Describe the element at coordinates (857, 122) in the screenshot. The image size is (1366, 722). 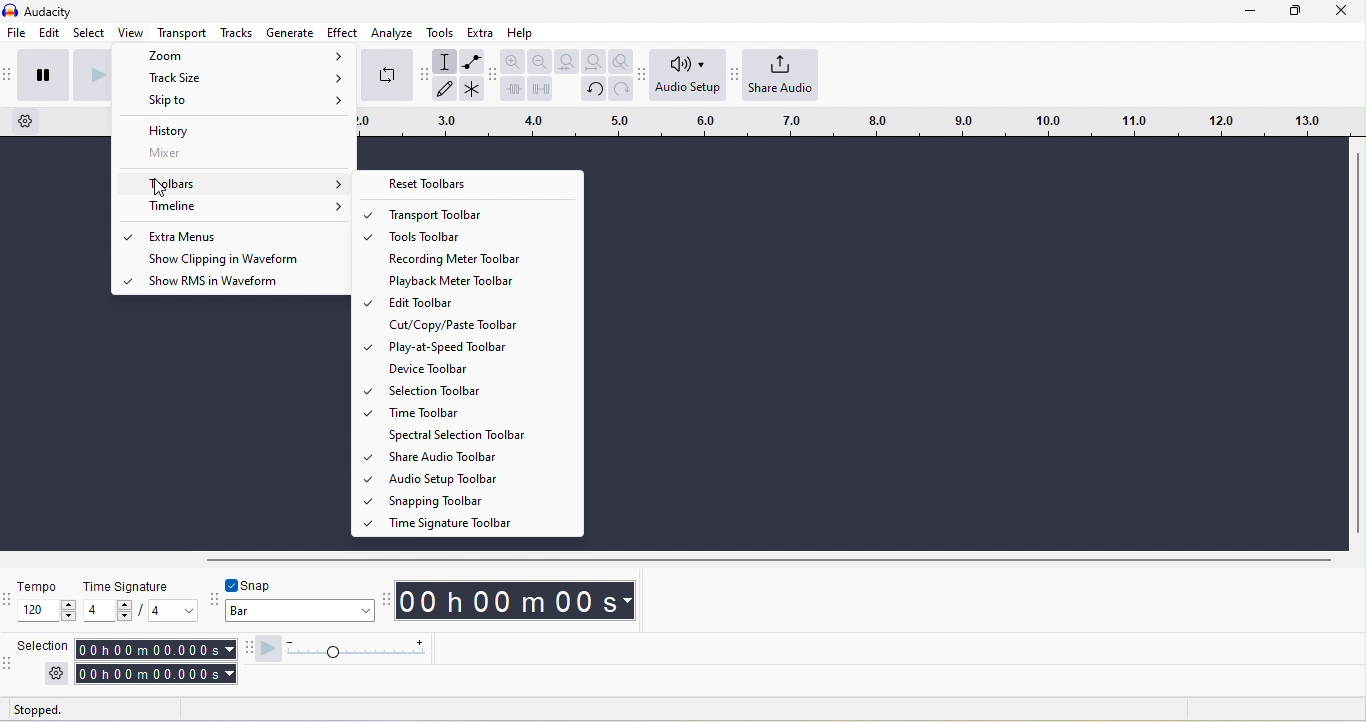
I see `timeline` at that location.